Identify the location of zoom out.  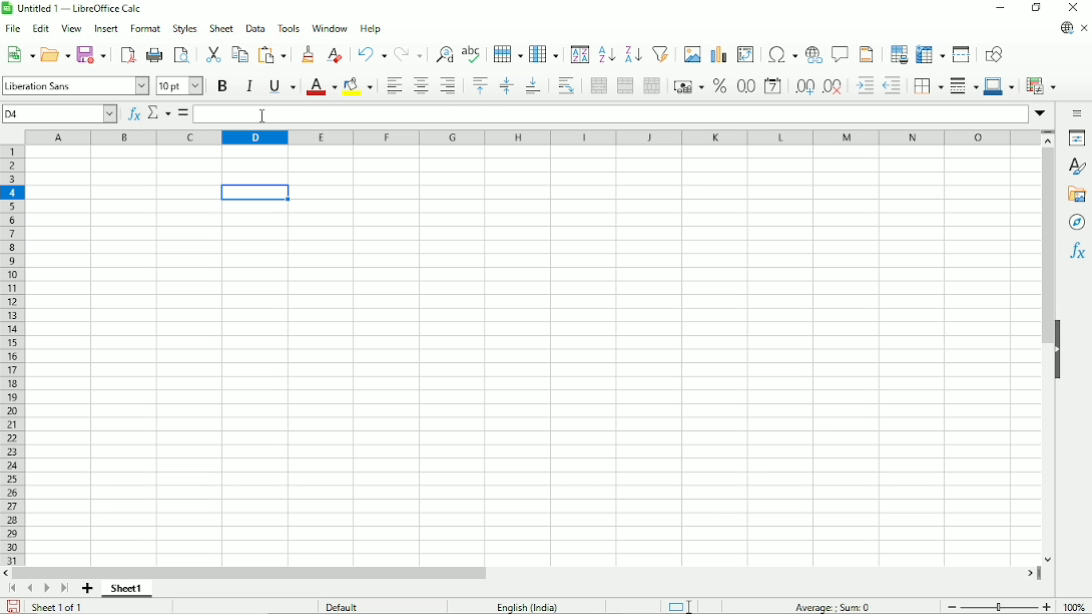
(953, 607).